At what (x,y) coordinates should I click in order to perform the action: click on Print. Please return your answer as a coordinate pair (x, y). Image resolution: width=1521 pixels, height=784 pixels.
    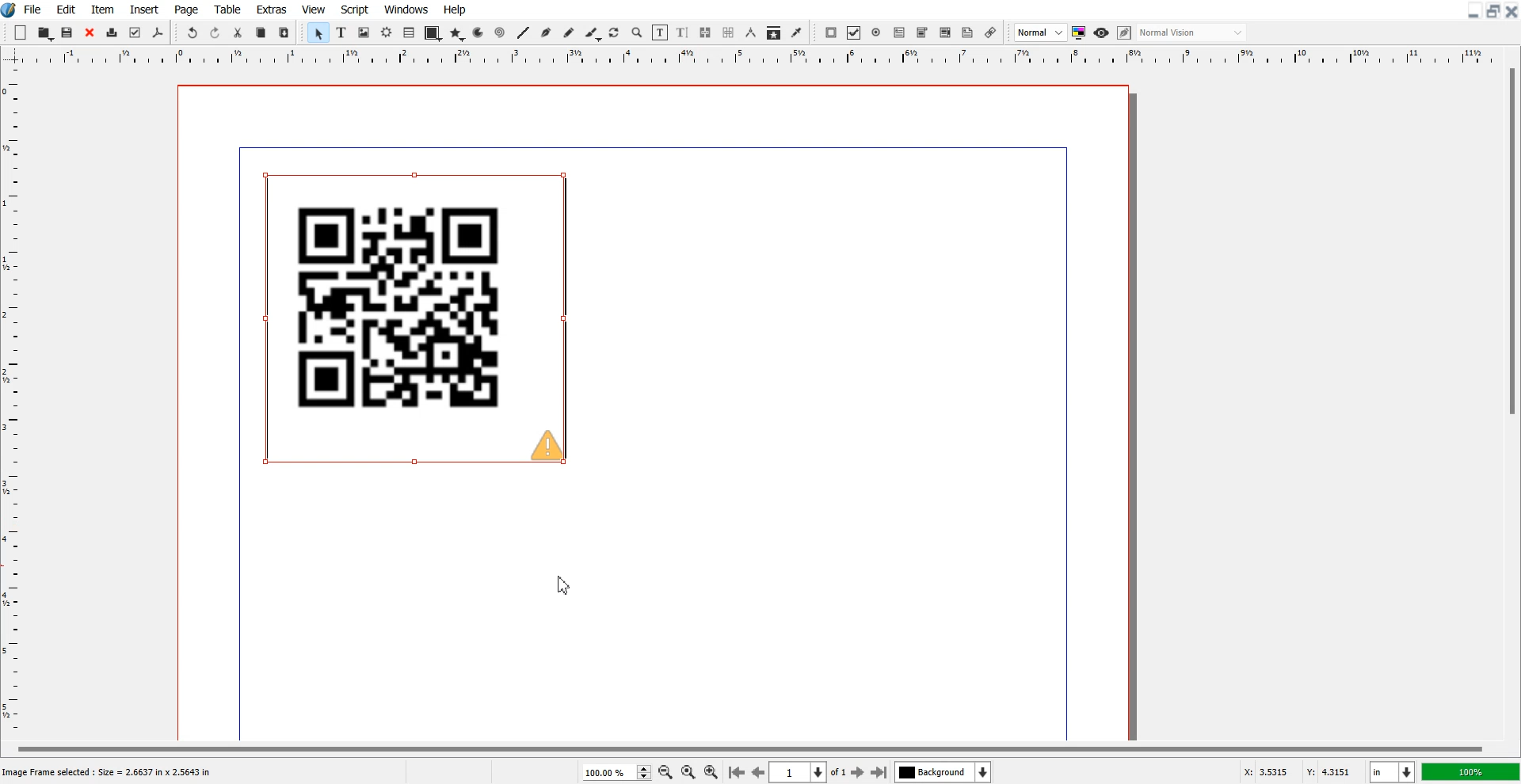
    Looking at the image, I should click on (112, 32).